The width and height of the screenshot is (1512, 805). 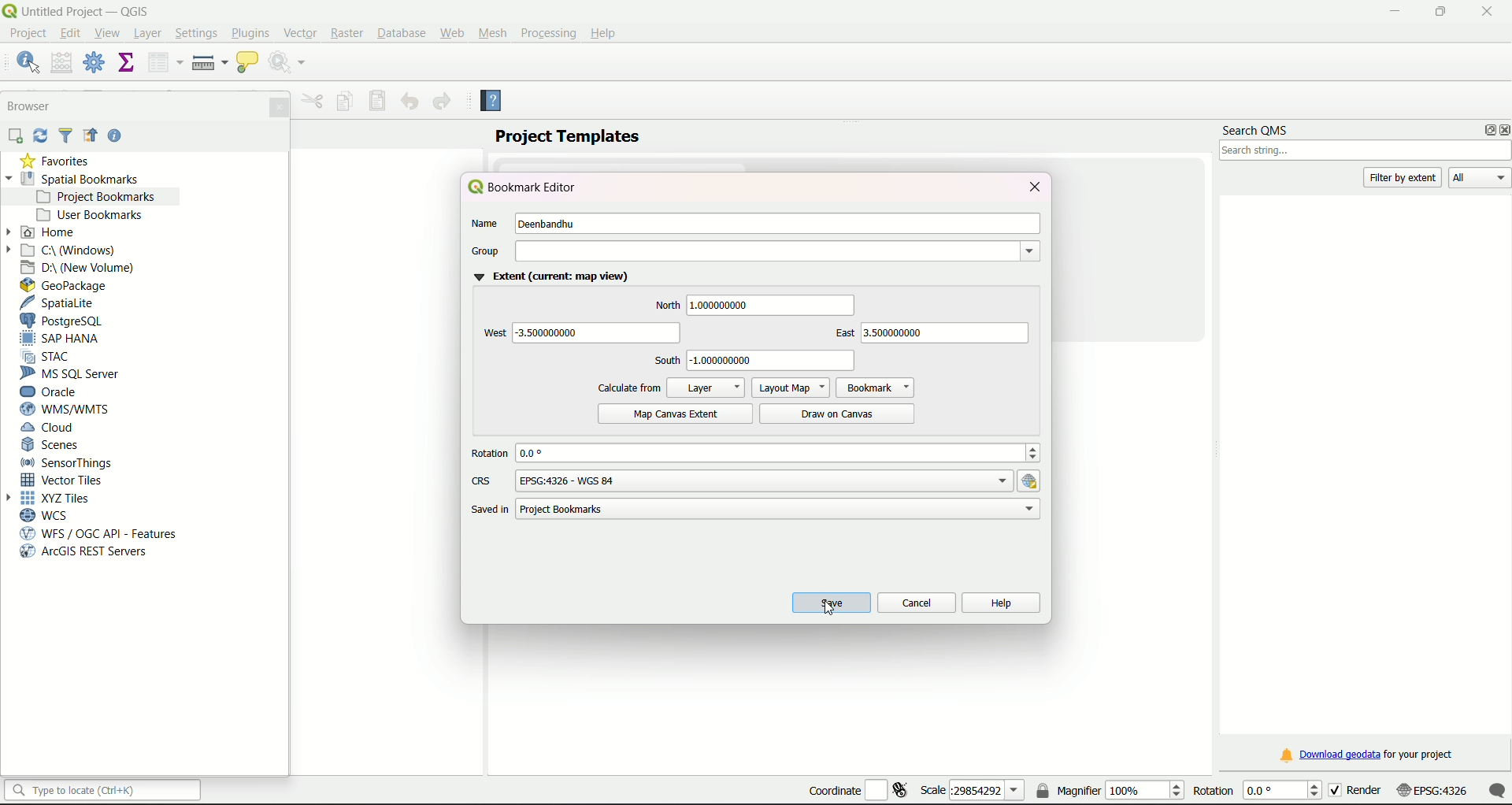 I want to click on Settings, so click(x=197, y=35).